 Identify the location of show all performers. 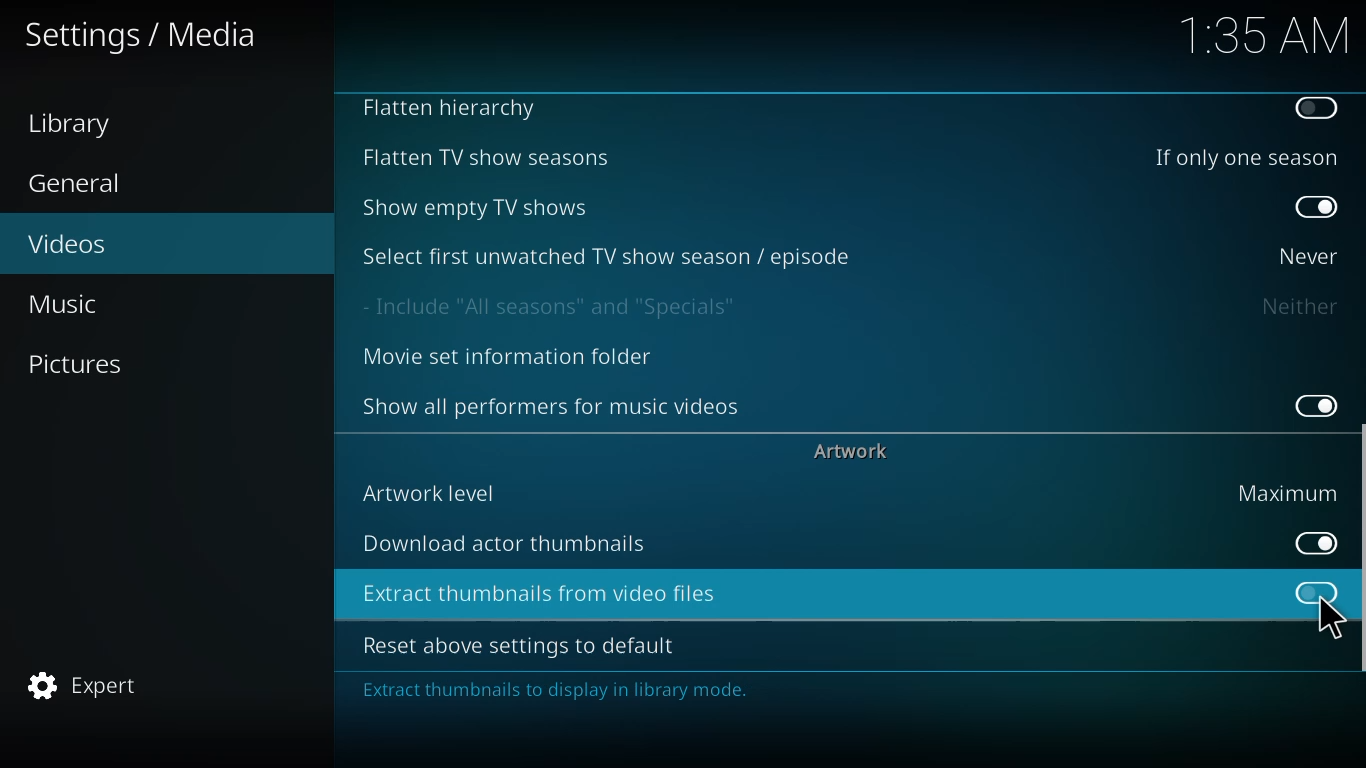
(553, 405).